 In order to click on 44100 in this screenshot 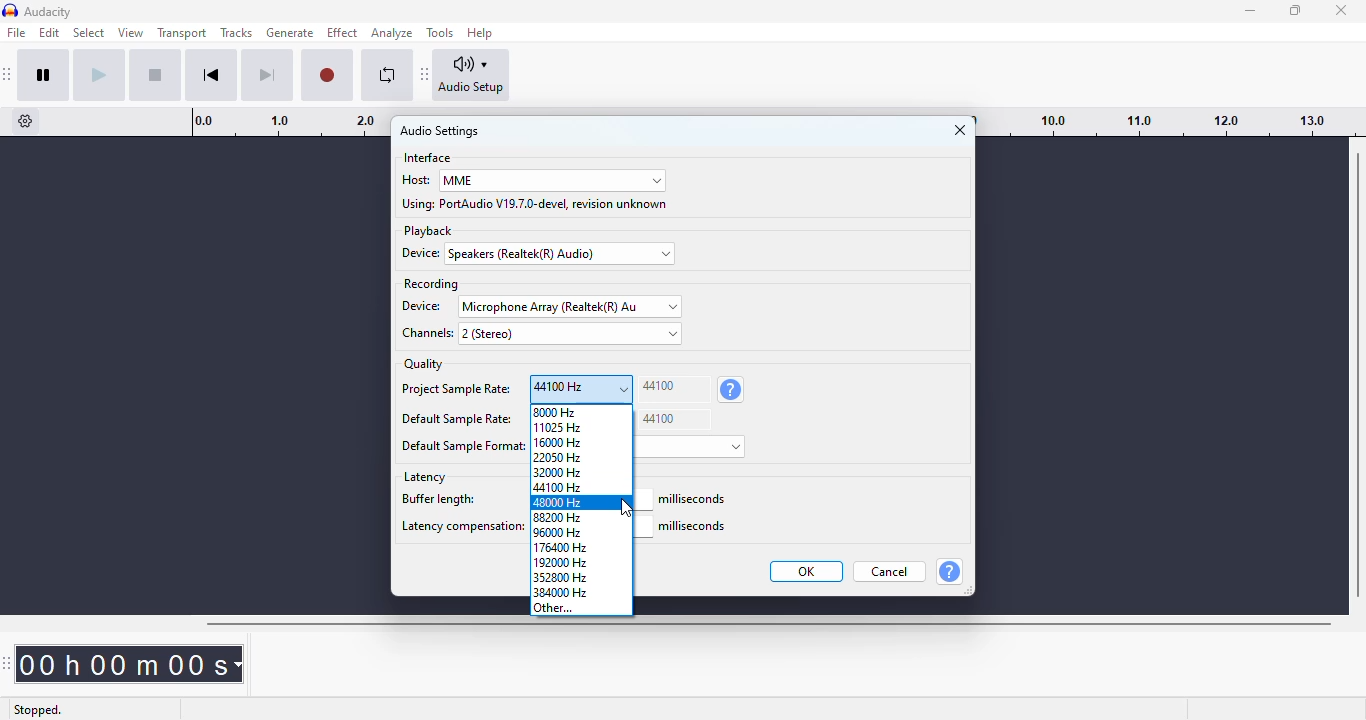, I will do `click(674, 419)`.